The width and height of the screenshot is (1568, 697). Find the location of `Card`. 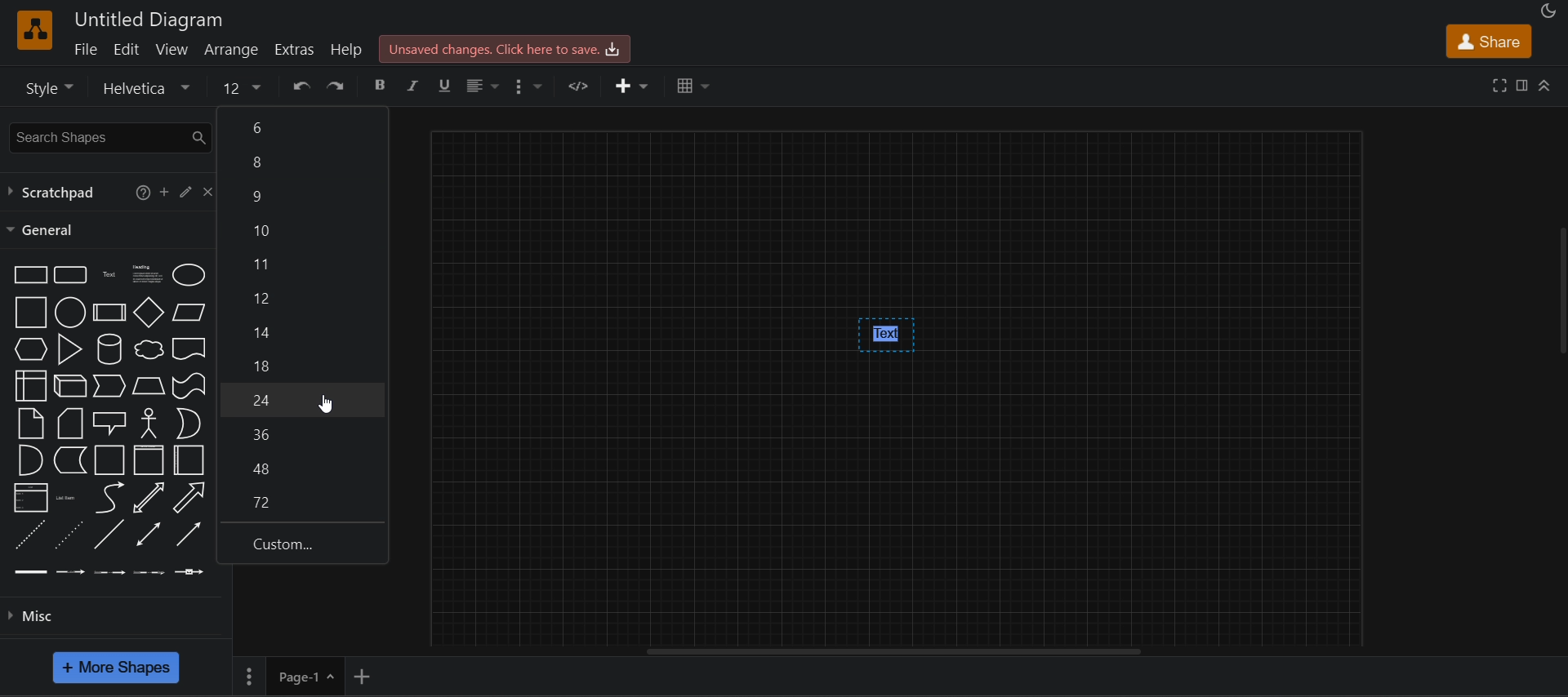

Card is located at coordinates (70, 424).